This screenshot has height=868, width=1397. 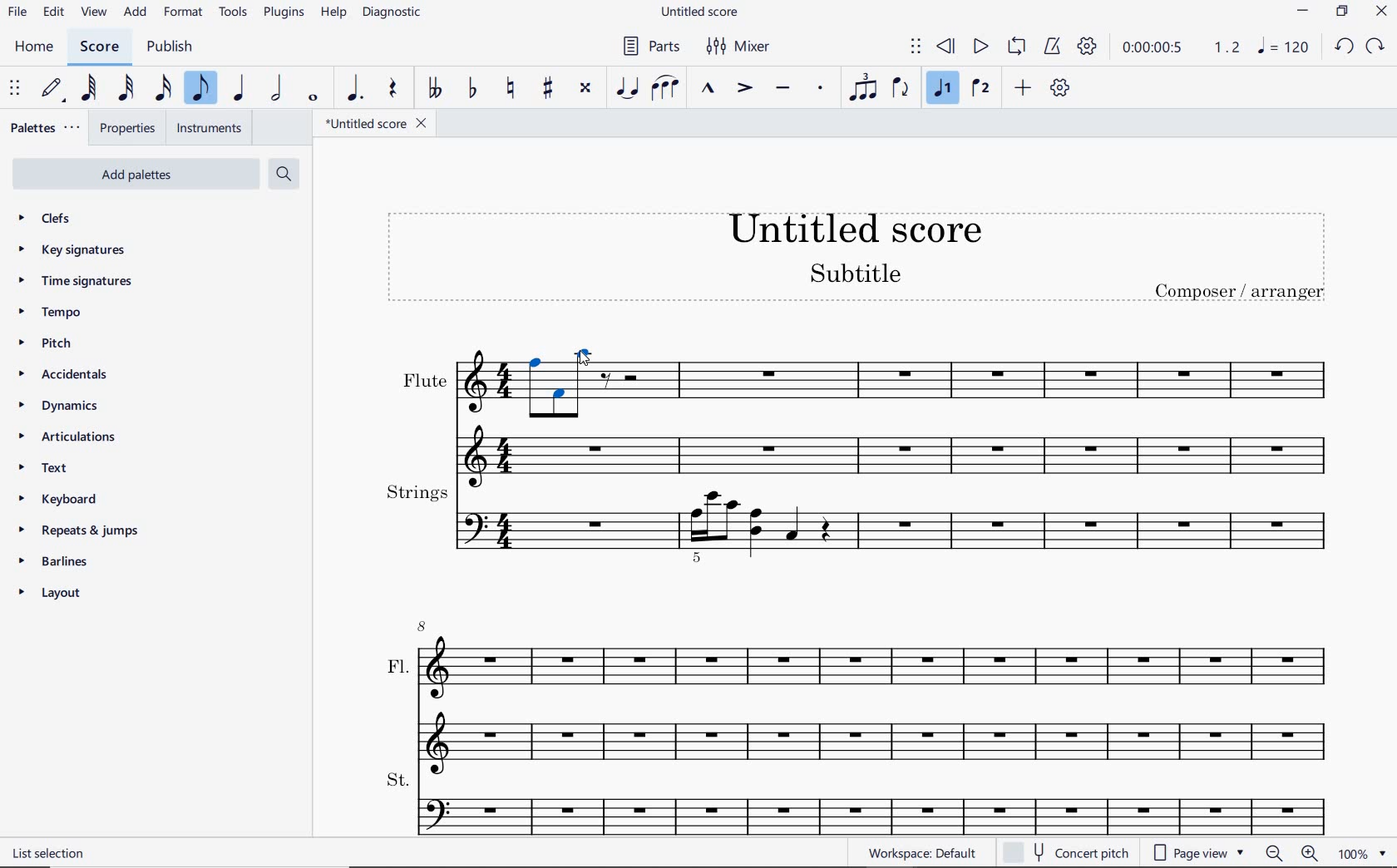 What do you see at coordinates (313, 98) in the screenshot?
I see `WHOLE NOTE` at bounding box center [313, 98].